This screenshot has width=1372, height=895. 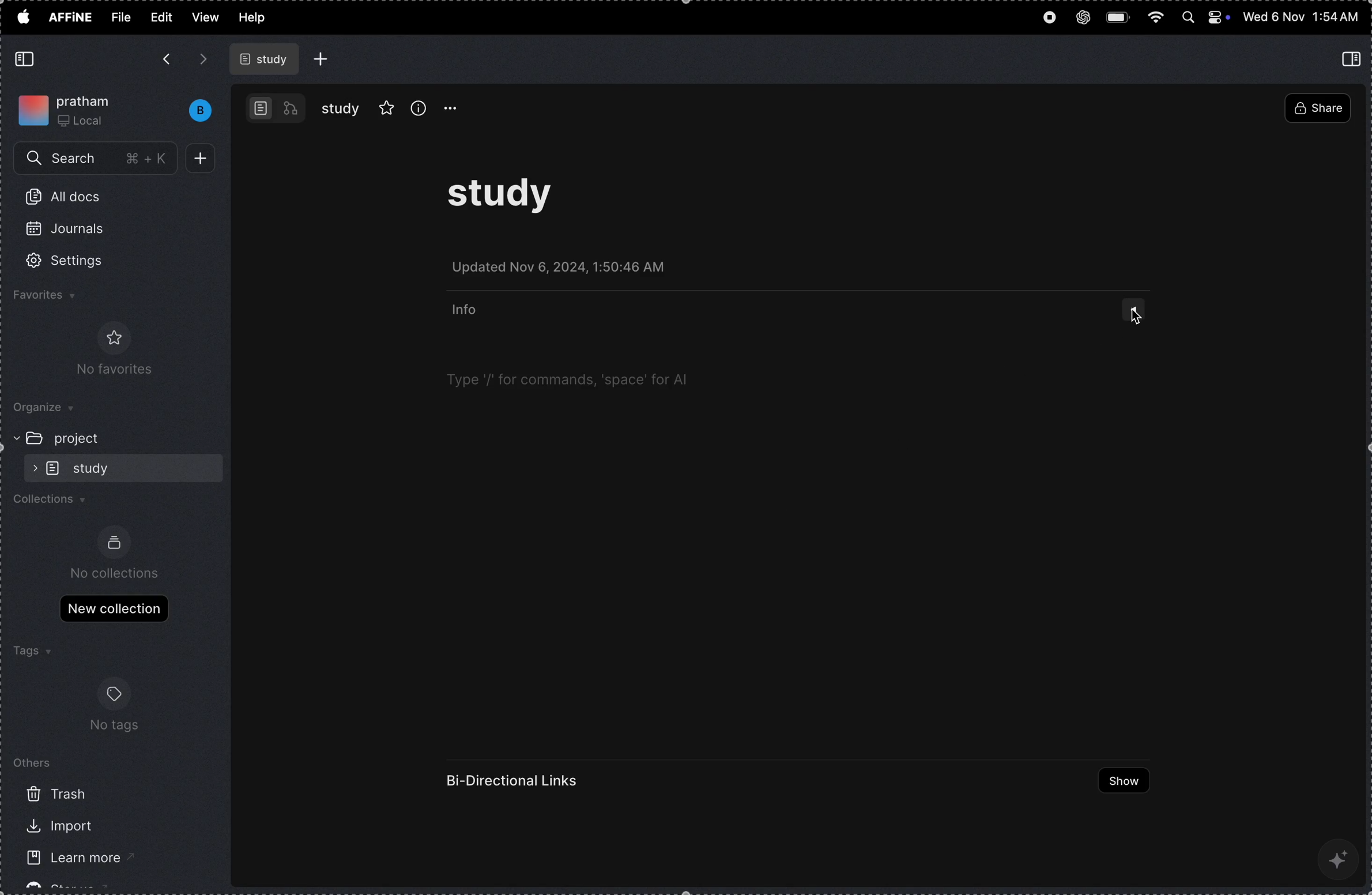 What do you see at coordinates (203, 59) in the screenshot?
I see `forward` at bounding box center [203, 59].